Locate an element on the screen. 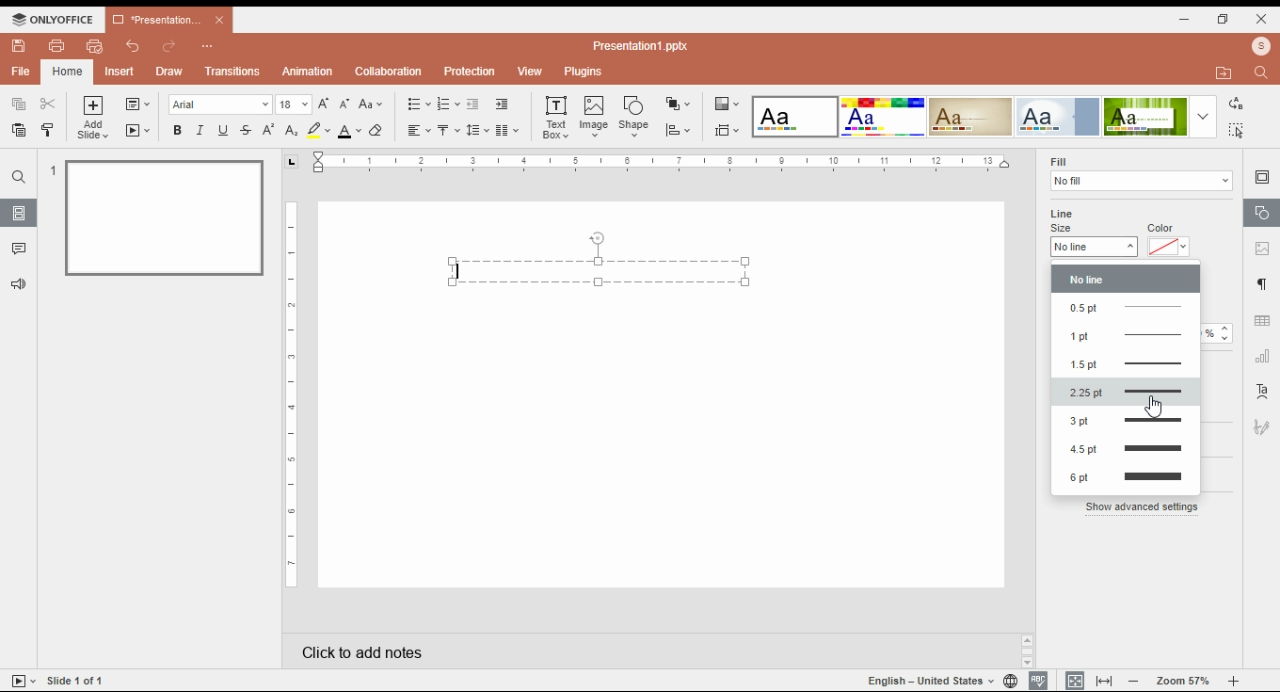  subscript is located at coordinates (291, 131).